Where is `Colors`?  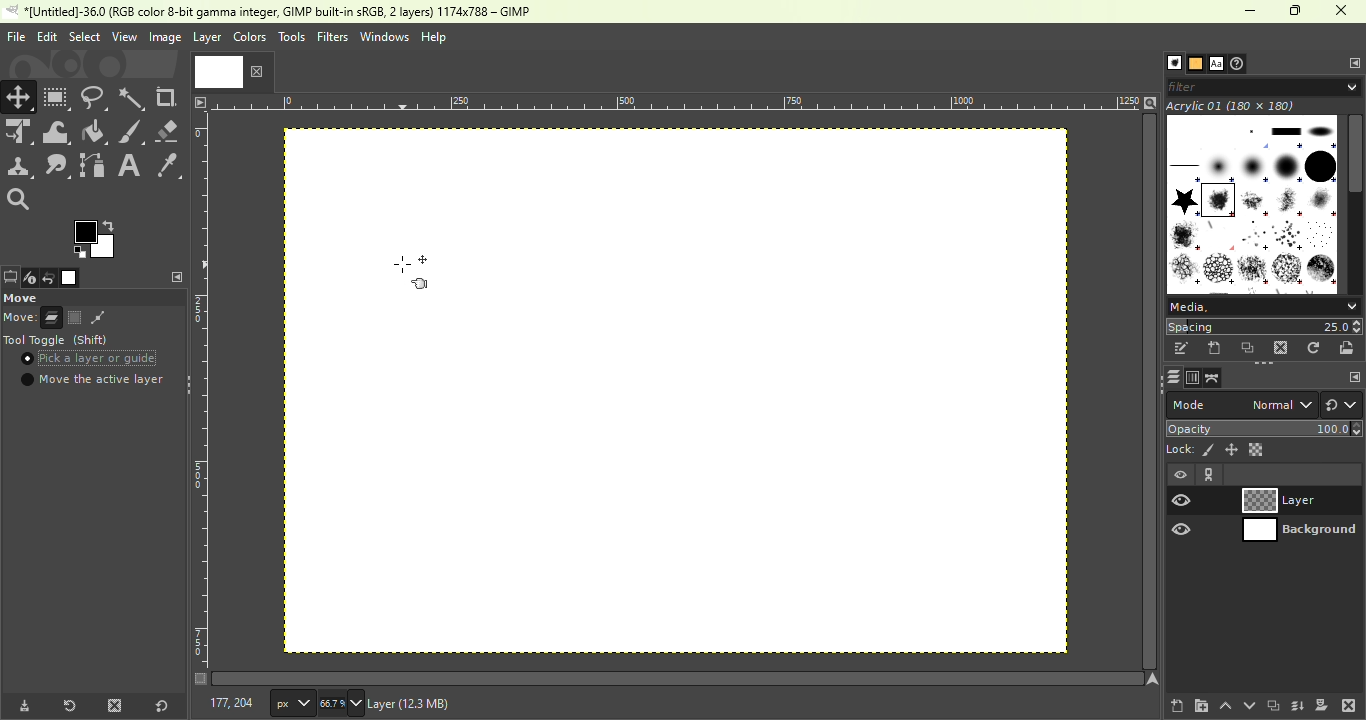
Colors is located at coordinates (250, 36).